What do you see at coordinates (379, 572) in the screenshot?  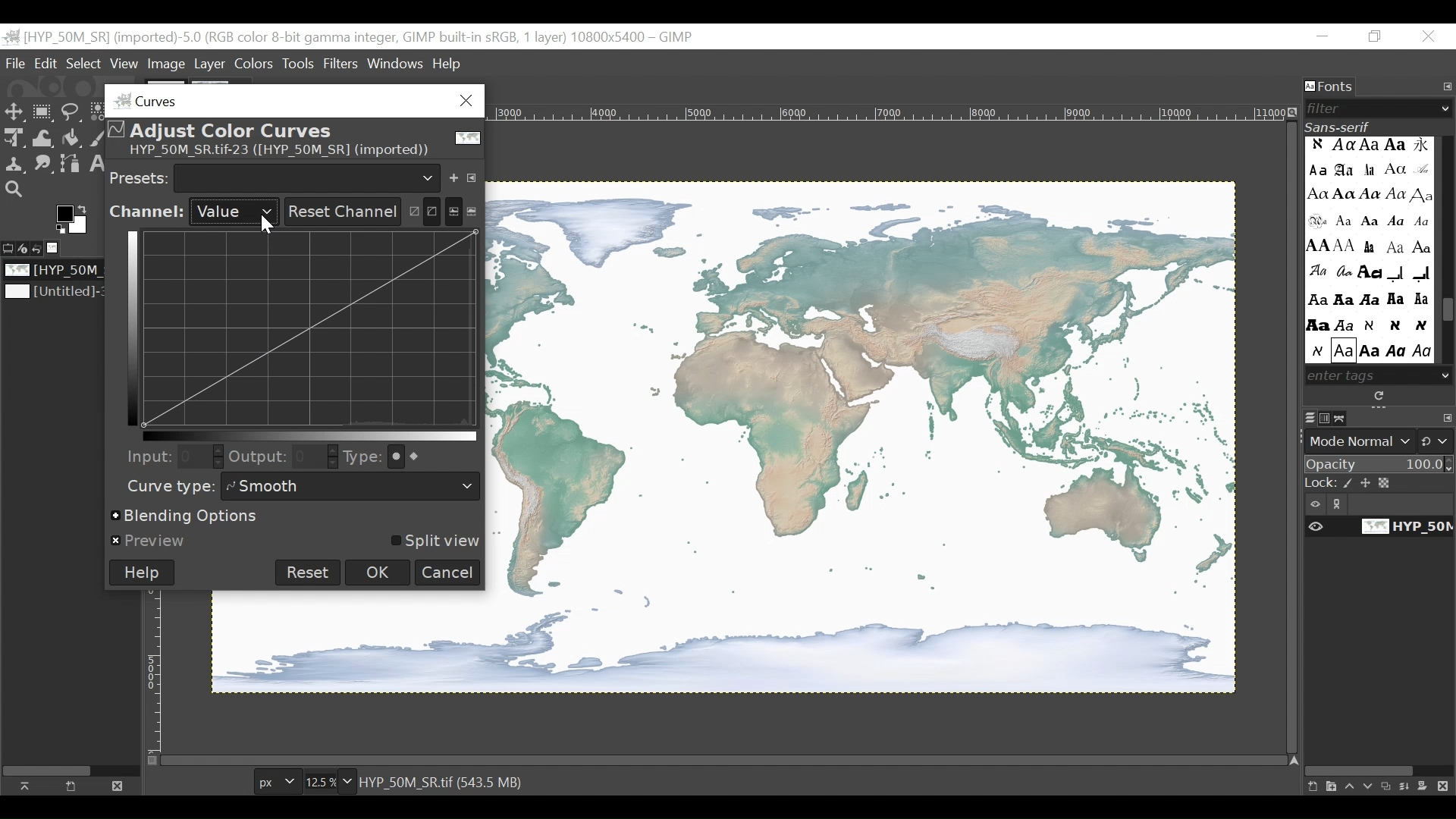 I see `OK` at bounding box center [379, 572].